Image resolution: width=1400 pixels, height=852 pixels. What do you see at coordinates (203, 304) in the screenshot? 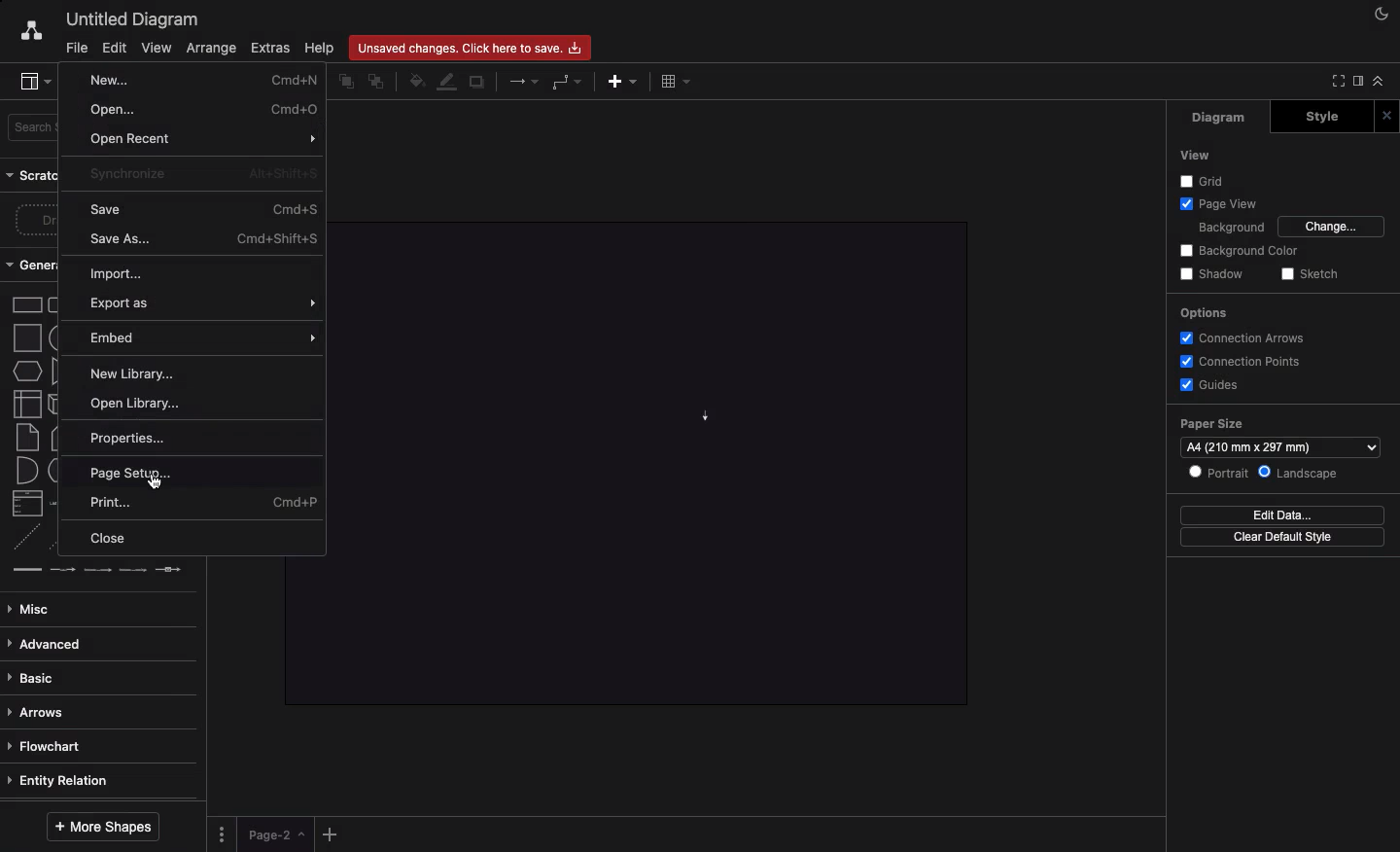
I see `Export as` at bounding box center [203, 304].